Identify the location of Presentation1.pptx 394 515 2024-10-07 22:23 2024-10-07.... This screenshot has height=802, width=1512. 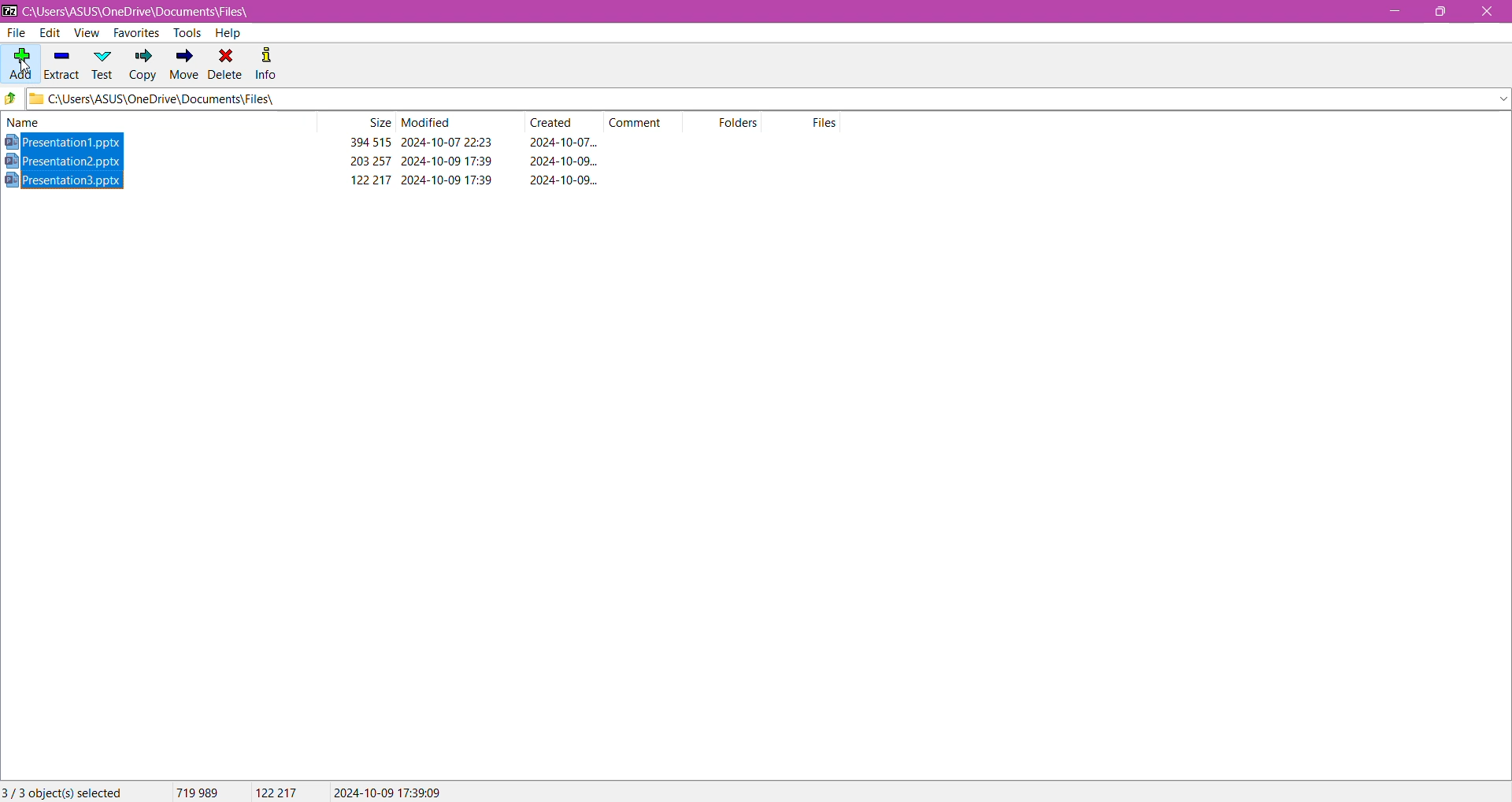
(308, 143).